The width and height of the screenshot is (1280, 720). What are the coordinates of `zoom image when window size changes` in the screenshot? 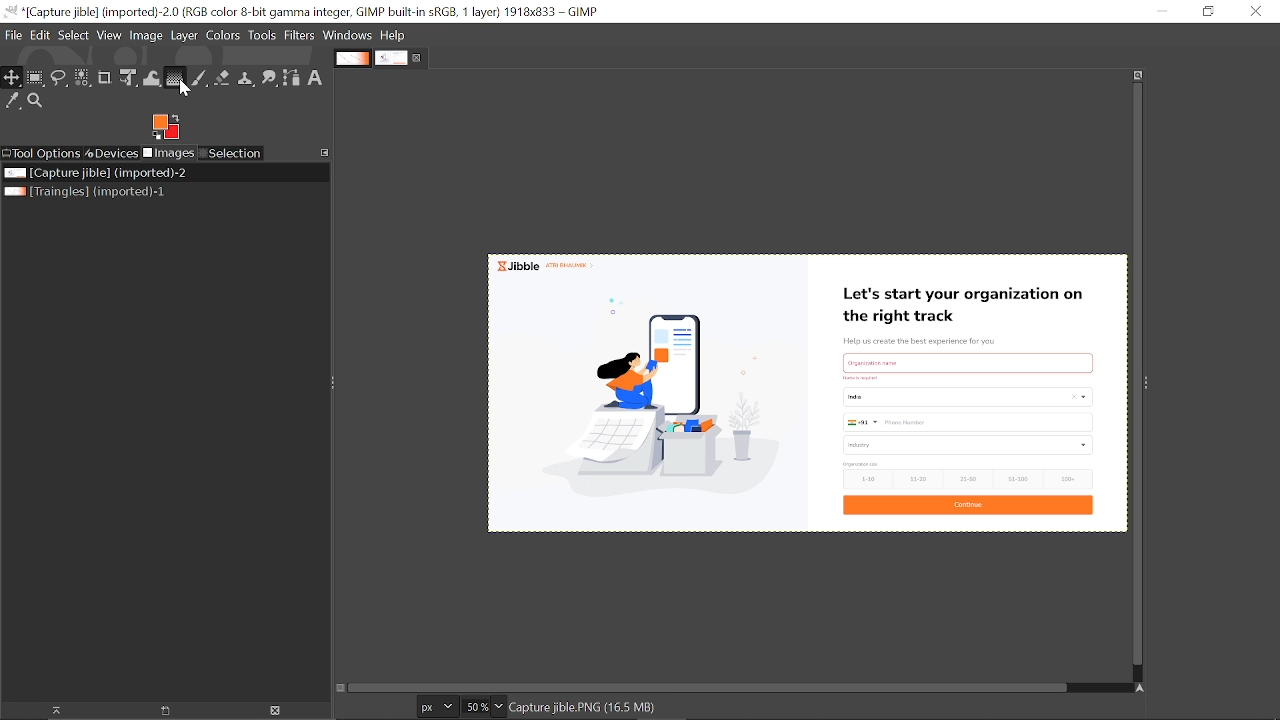 It's located at (1139, 73).